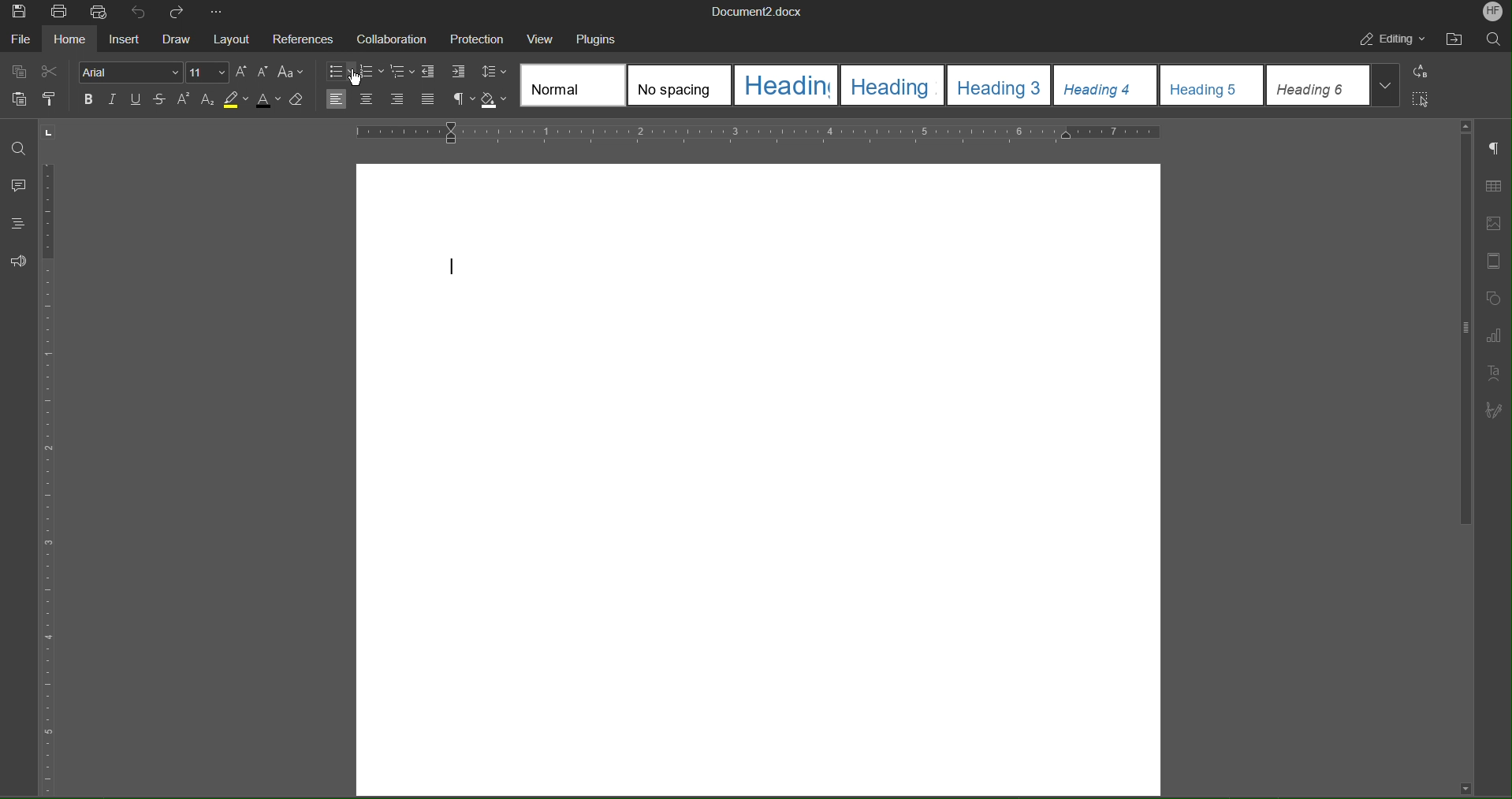 The height and width of the screenshot is (799, 1512). Describe the element at coordinates (301, 100) in the screenshot. I see `Erase Style` at that location.